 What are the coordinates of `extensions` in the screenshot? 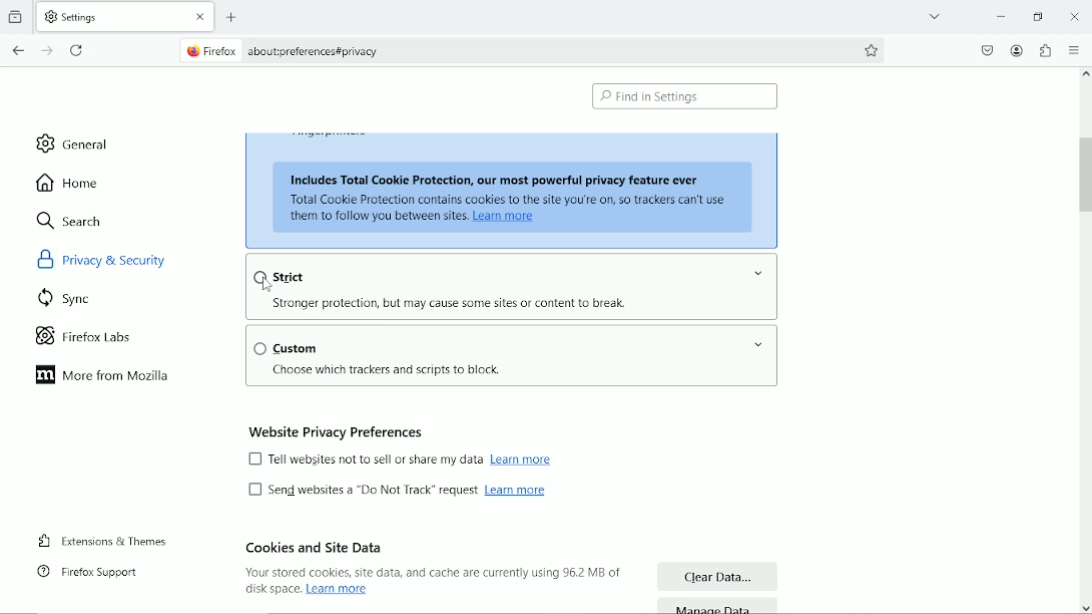 It's located at (1046, 51).